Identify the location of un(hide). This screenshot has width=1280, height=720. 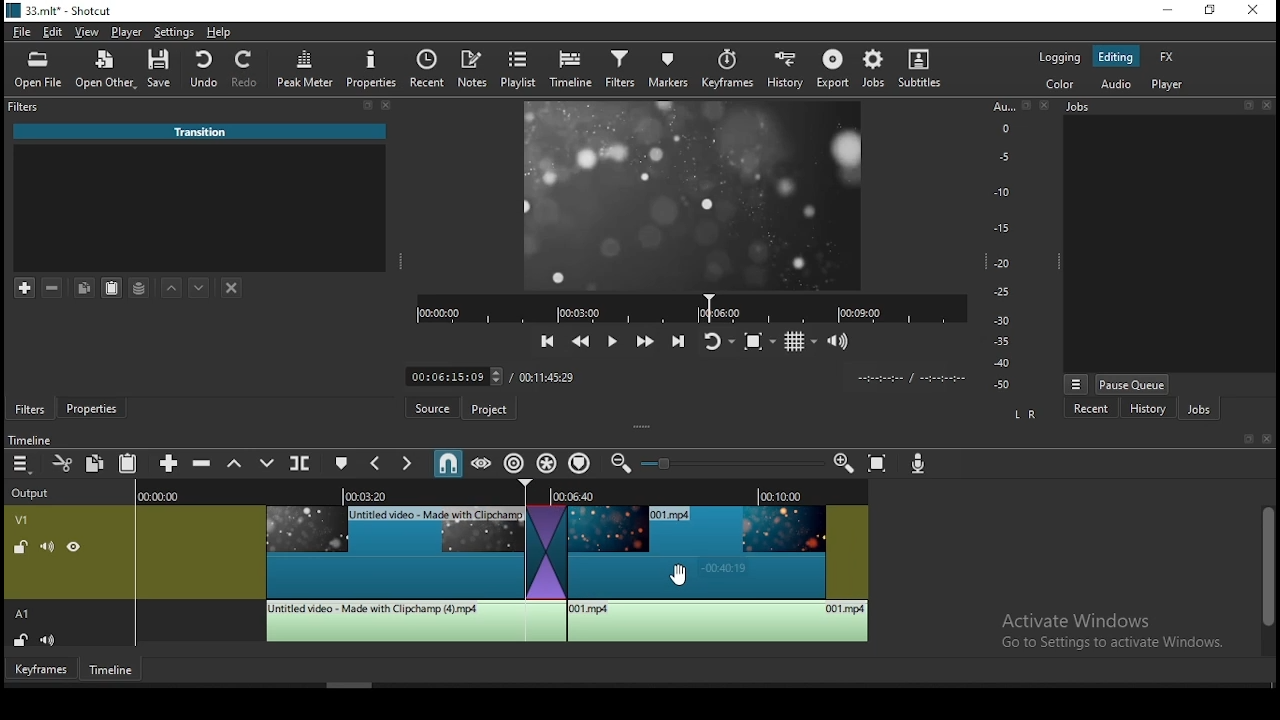
(72, 548).